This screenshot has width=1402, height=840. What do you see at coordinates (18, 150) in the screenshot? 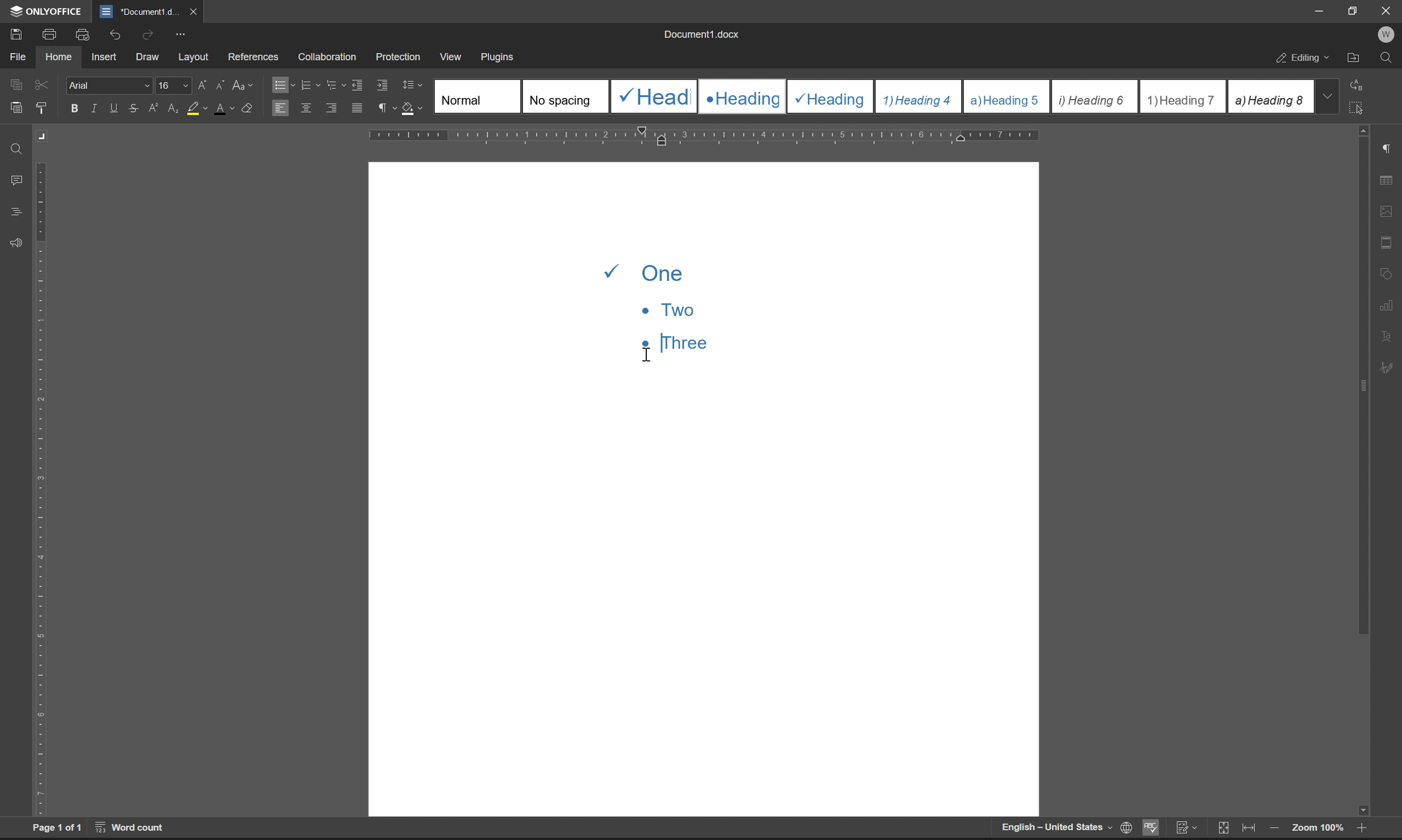
I see `find` at bounding box center [18, 150].